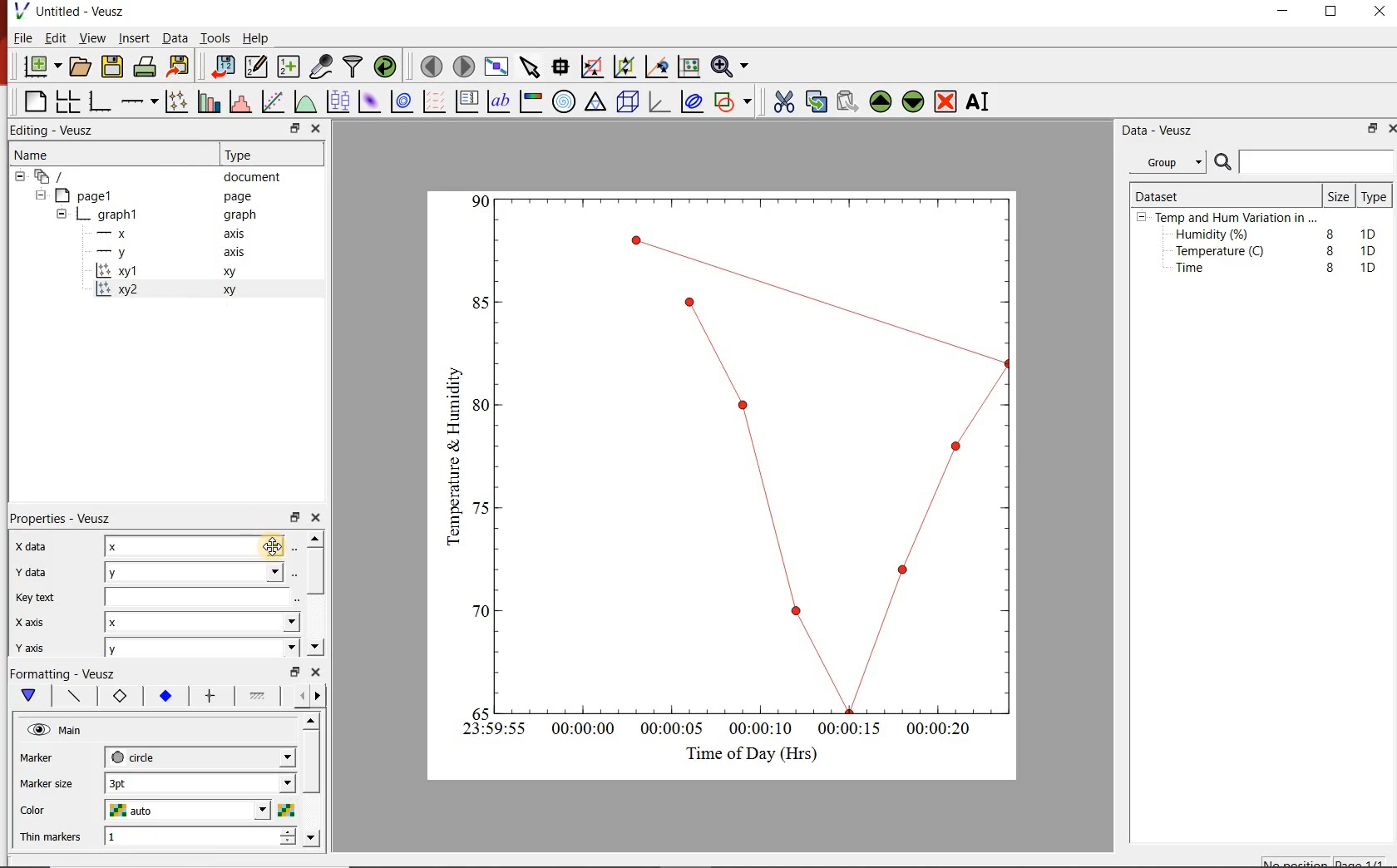  Describe the element at coordinates (430, 67) in the screenshot. I see `move to the previous page` at that location.